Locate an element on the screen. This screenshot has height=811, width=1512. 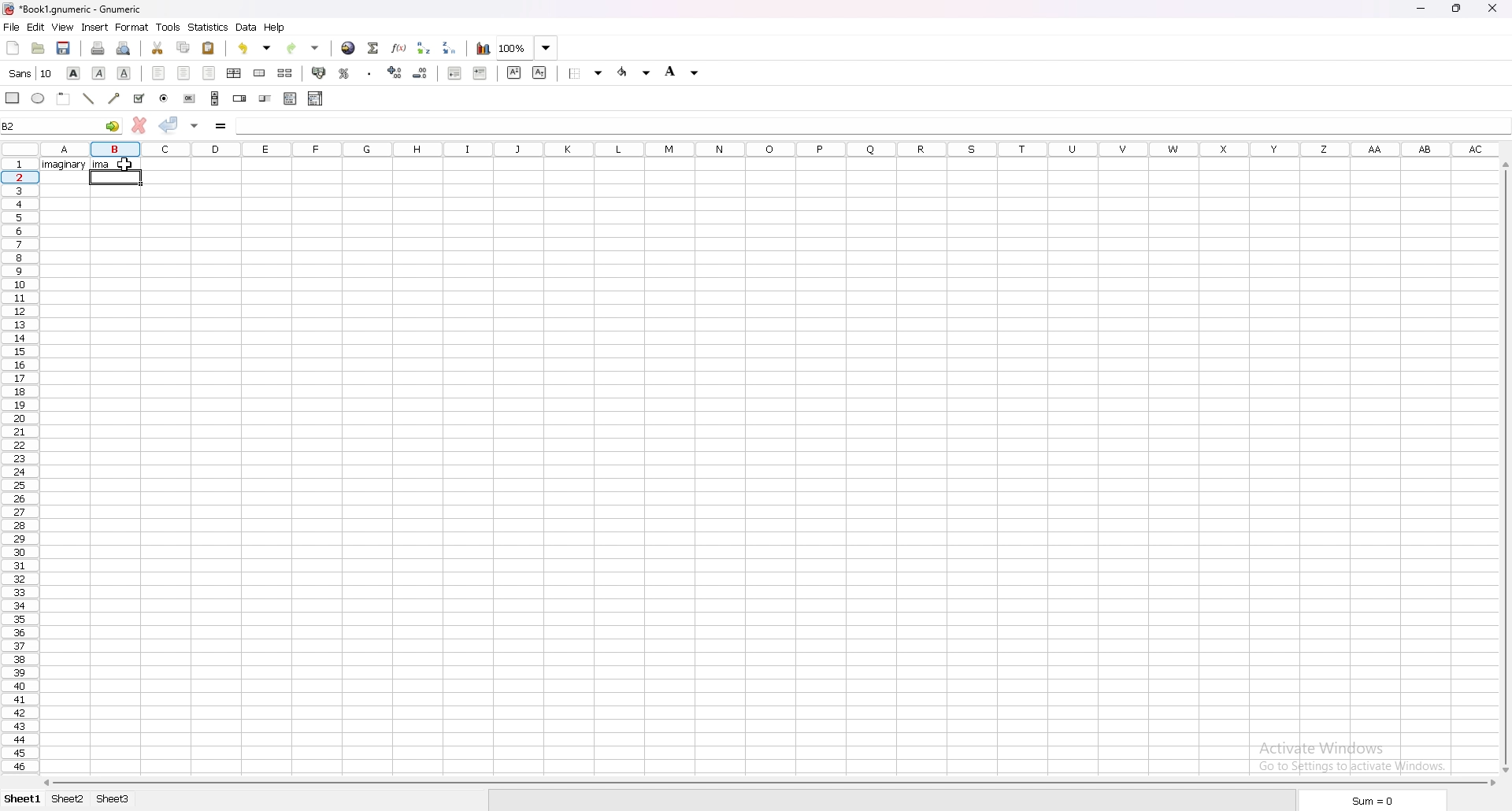
accept changes is located at coordinates (169, 124).